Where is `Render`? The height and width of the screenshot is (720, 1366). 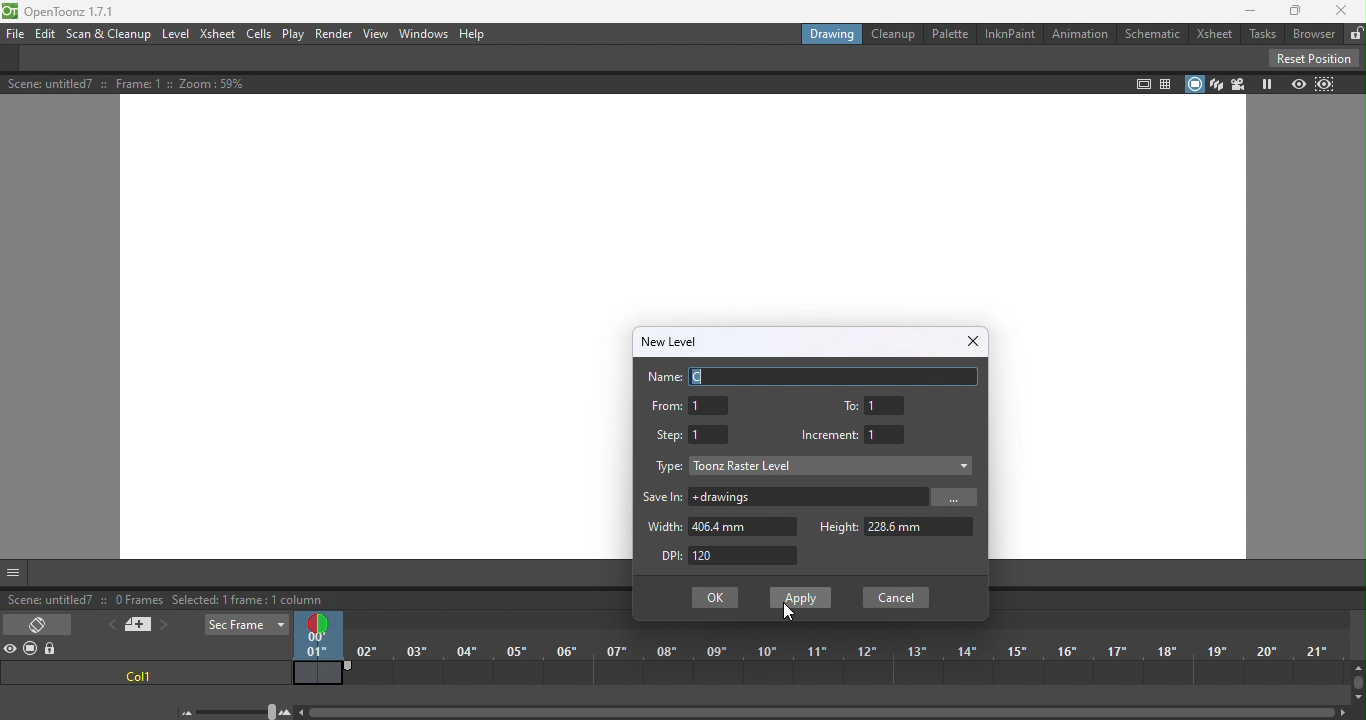
Render is located at coordinates (333, 34).